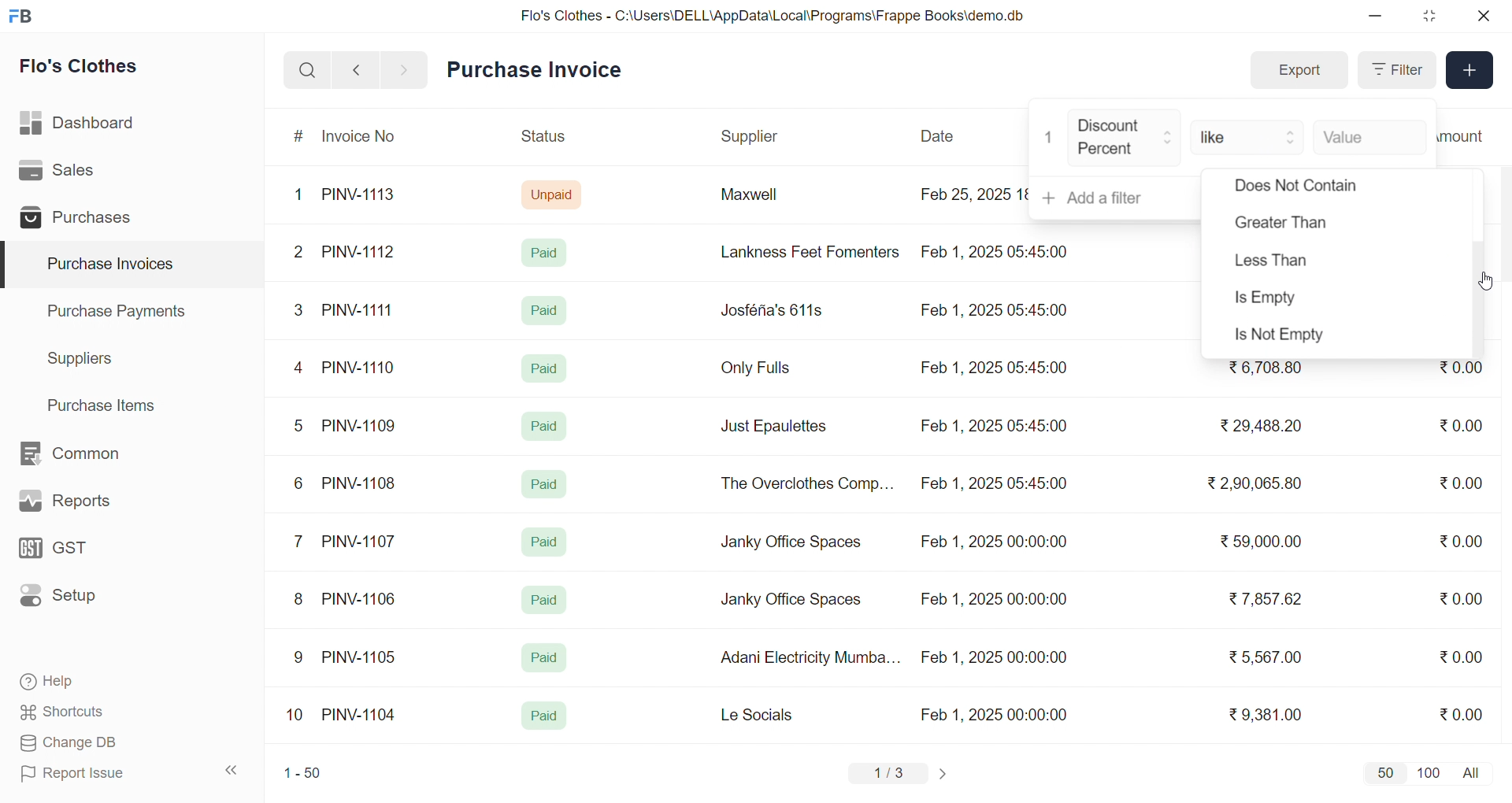 This screenshot has height=803, width=1512. Describe the element at coordinates (1461, 713) in the screenshot. I see `₹0.00` at that location.